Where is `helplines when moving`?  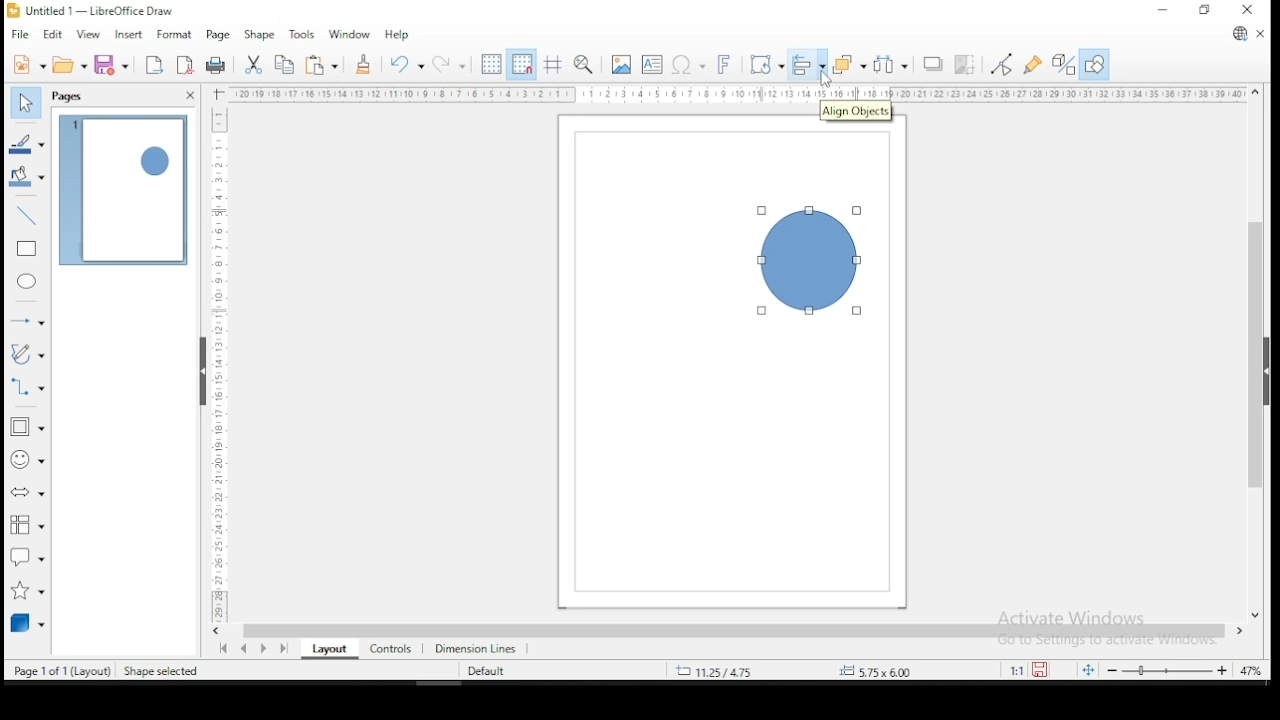
helplines when moving is located at coordinates (551, 64).